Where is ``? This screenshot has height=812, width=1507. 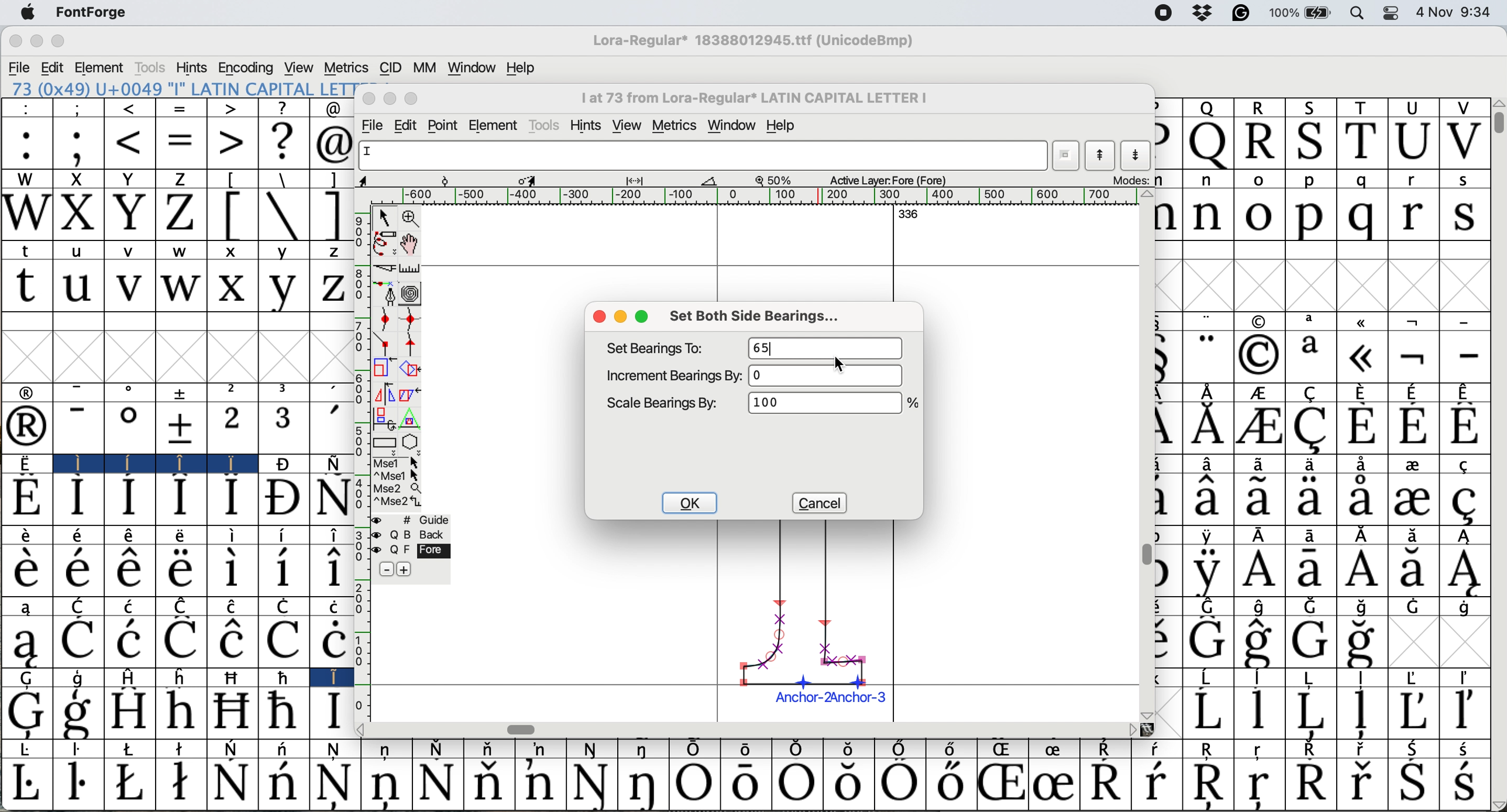
 is located at coordinates (1148, 713).